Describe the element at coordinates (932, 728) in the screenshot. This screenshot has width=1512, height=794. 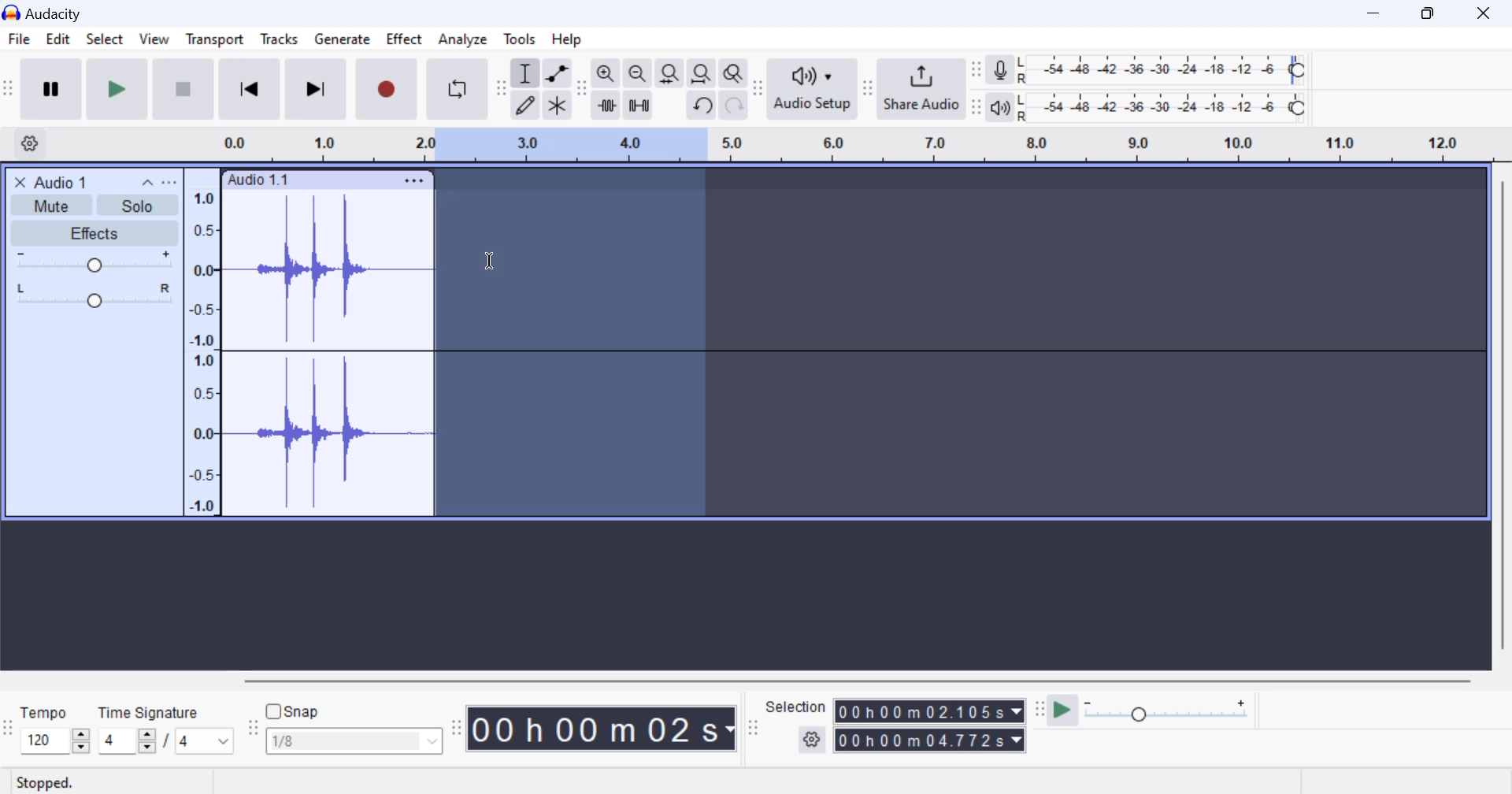
I see `Selected Clip Length` at that location.